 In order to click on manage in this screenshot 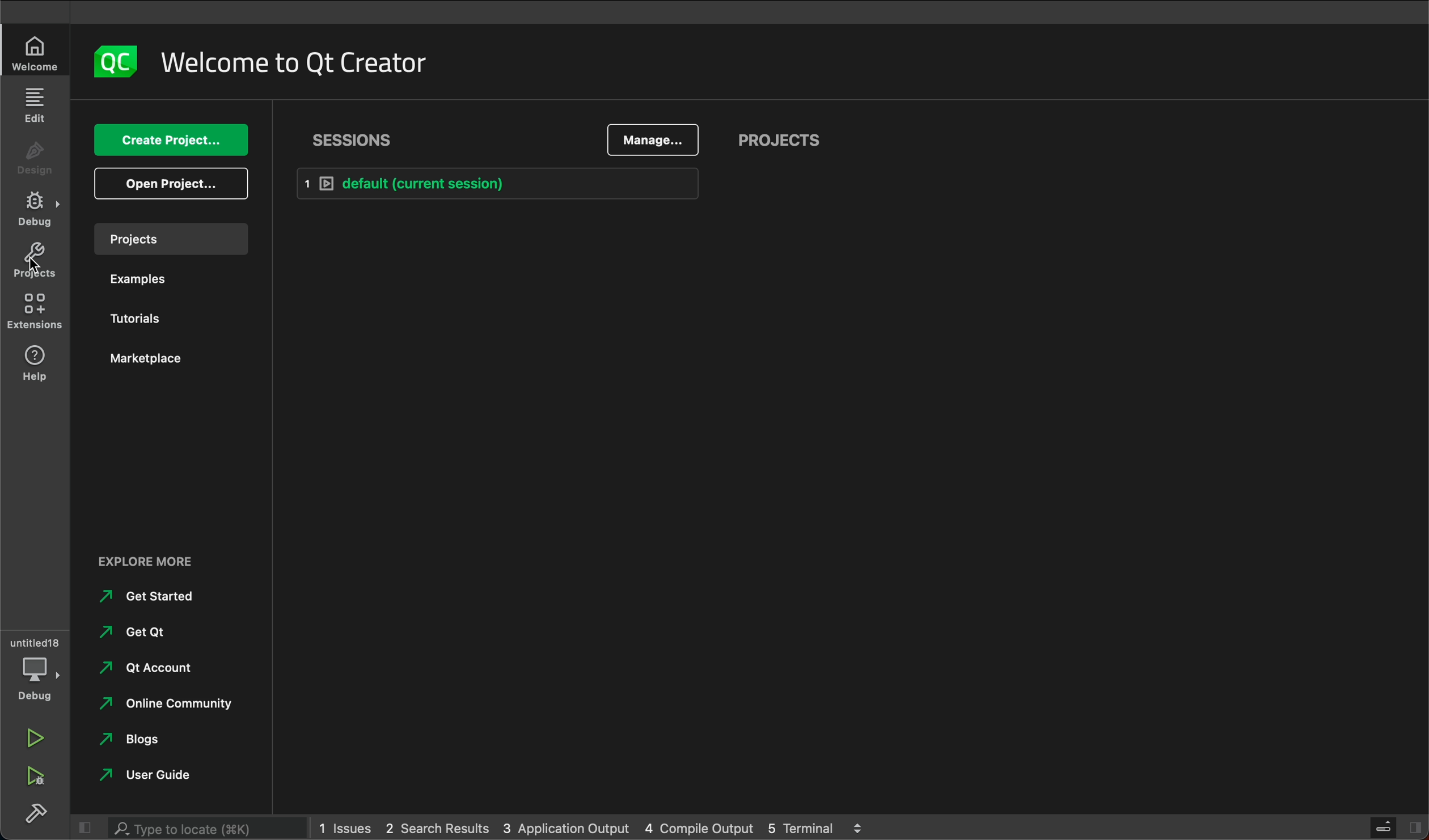, I will do `click(656, 140)`.